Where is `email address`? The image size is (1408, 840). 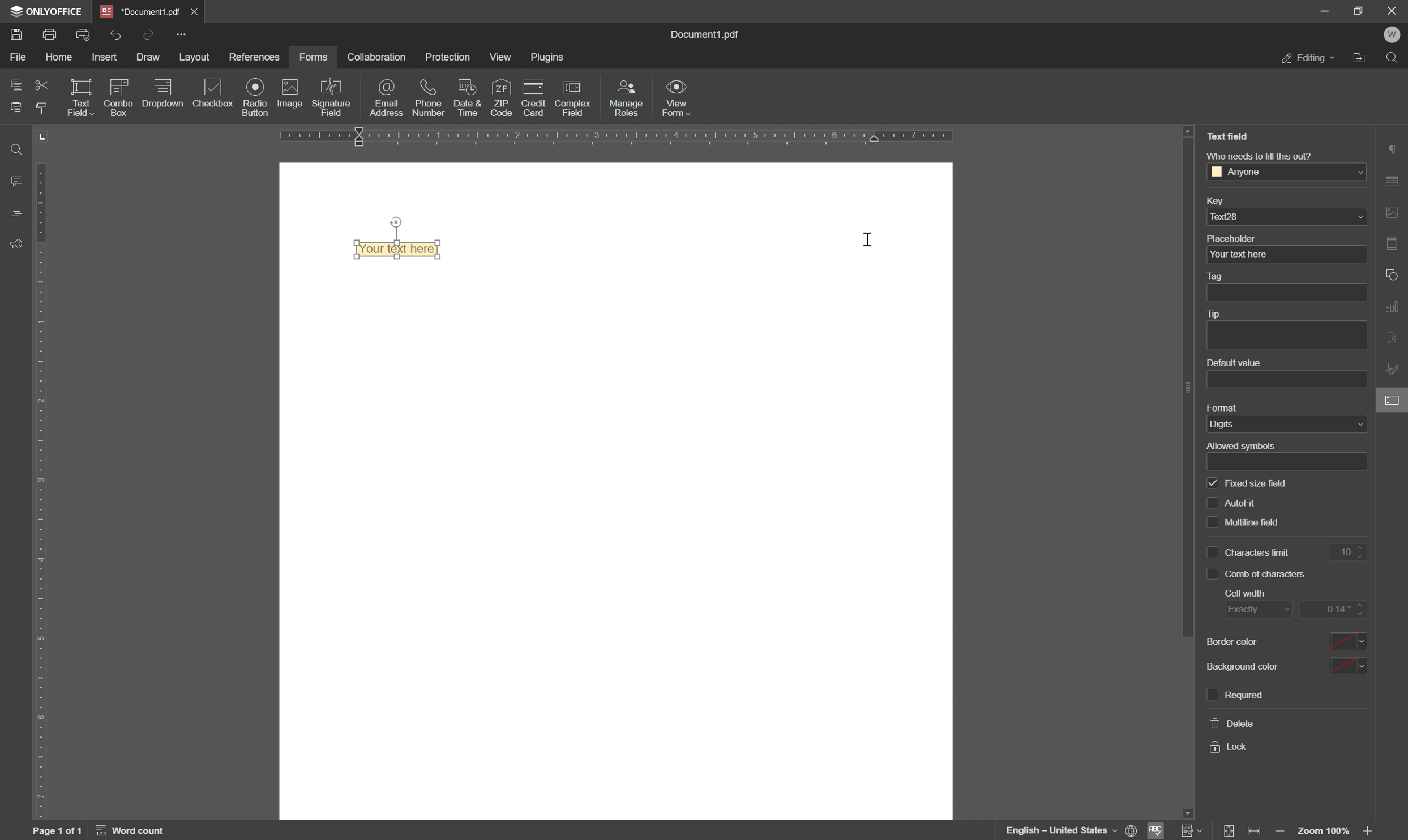
email address is located at coordinates (384, 98).